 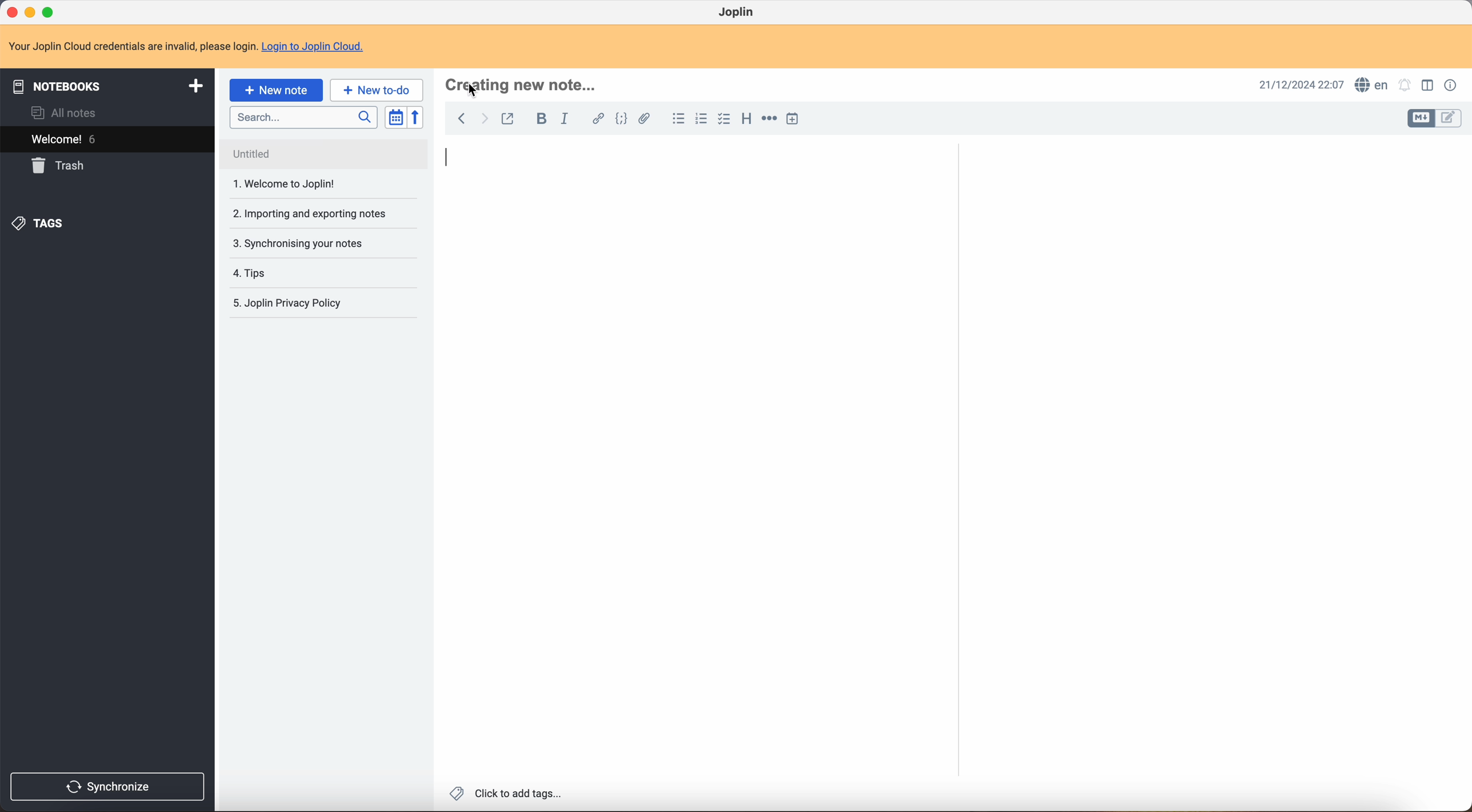 I want to click on importing and exporting notes, so click(x=309, y=183).